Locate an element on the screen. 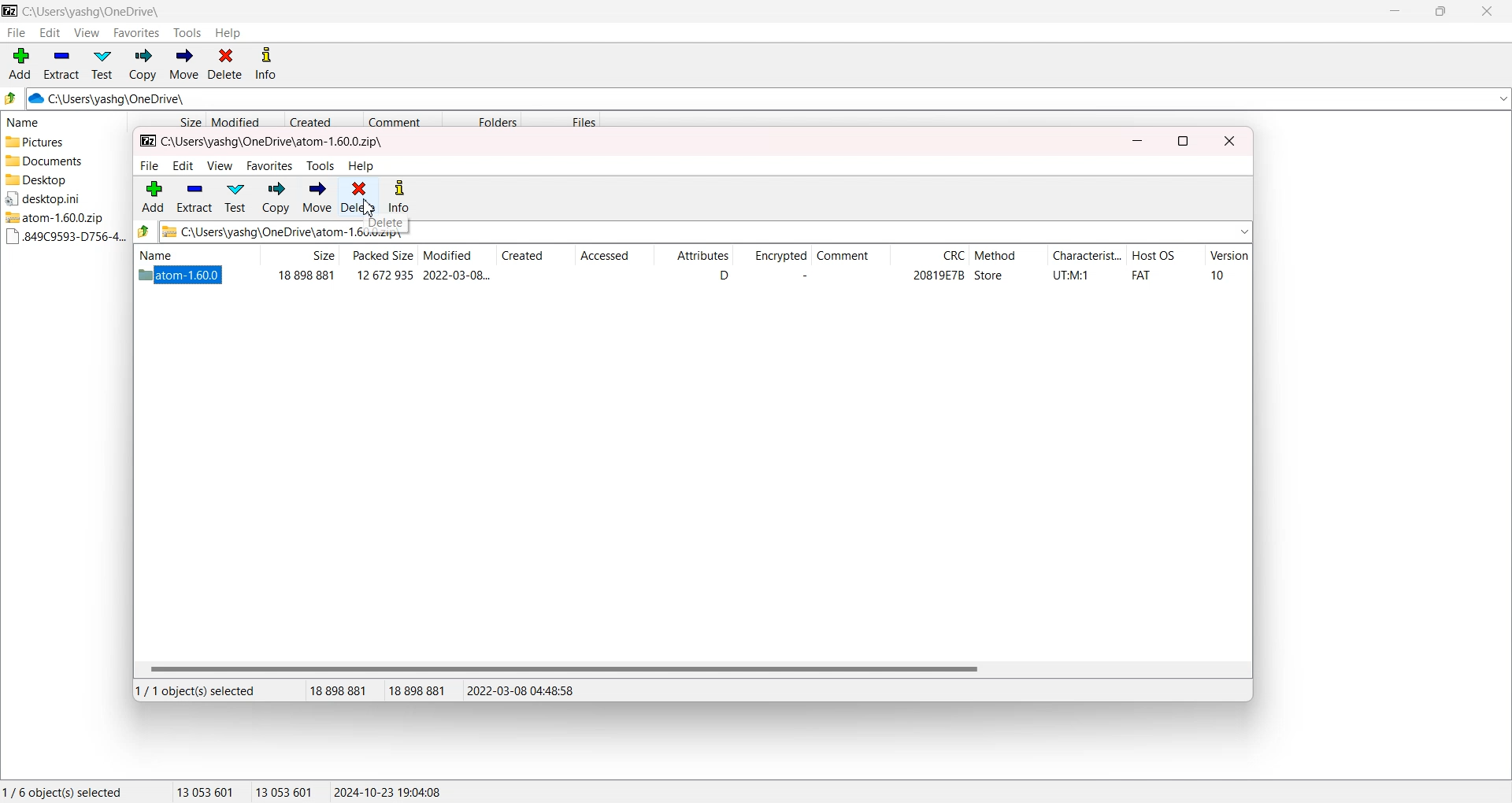 The image size is (1512, 803). Horizontal Scroll bar is located at coordinates (691, 668).